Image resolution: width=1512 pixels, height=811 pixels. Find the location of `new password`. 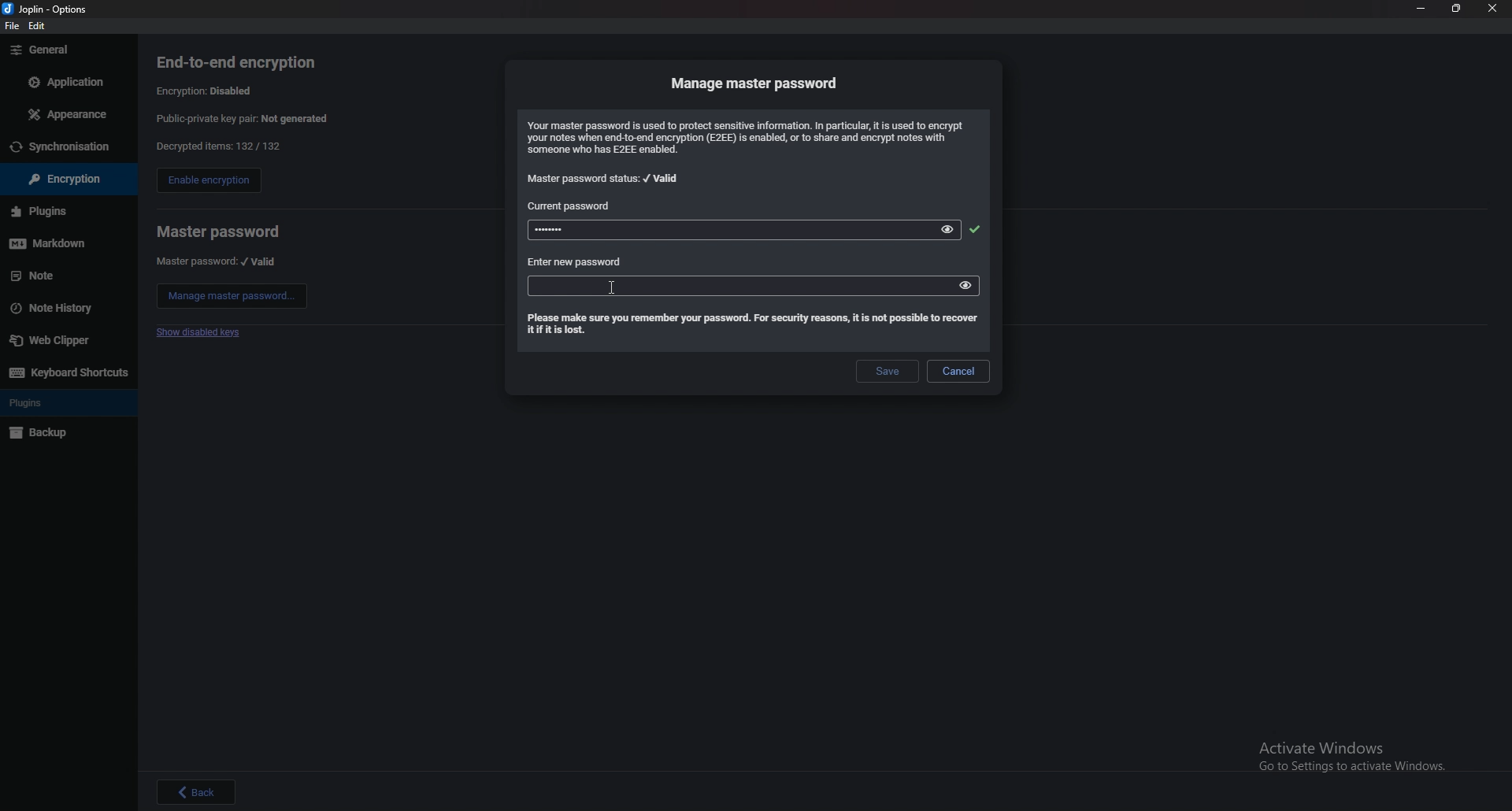

new password is located at coordinates (714, 285).